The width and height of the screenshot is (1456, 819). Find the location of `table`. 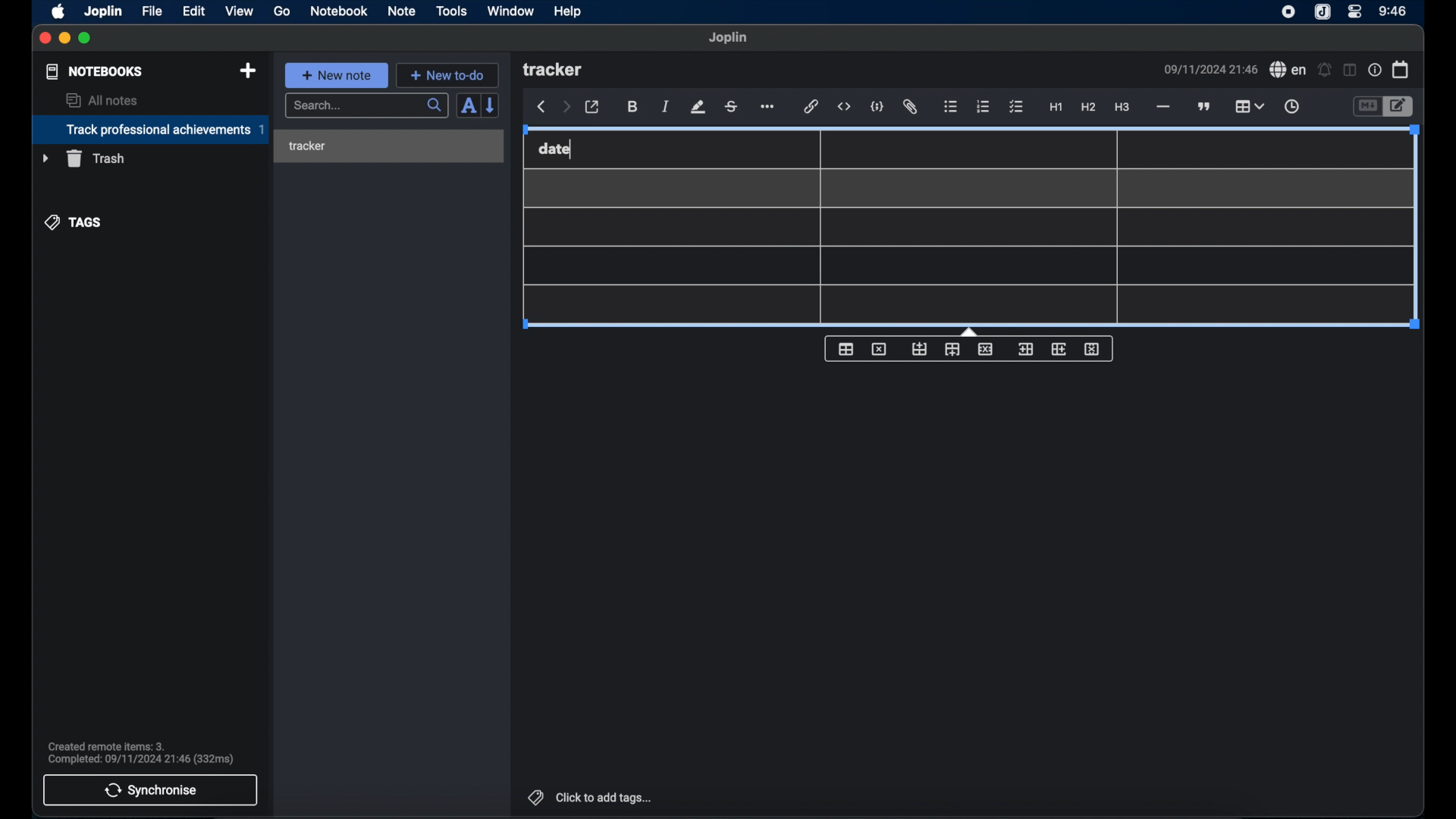

table is located at coordinates (1249, 105).